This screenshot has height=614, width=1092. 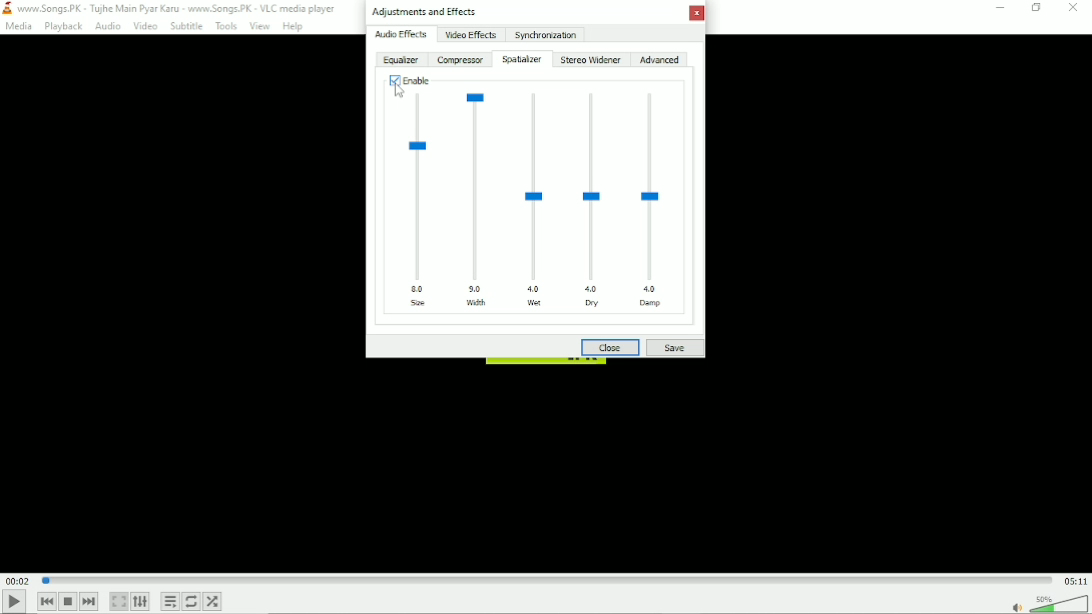 I want to click on Close, so click(x=1073, y=9).